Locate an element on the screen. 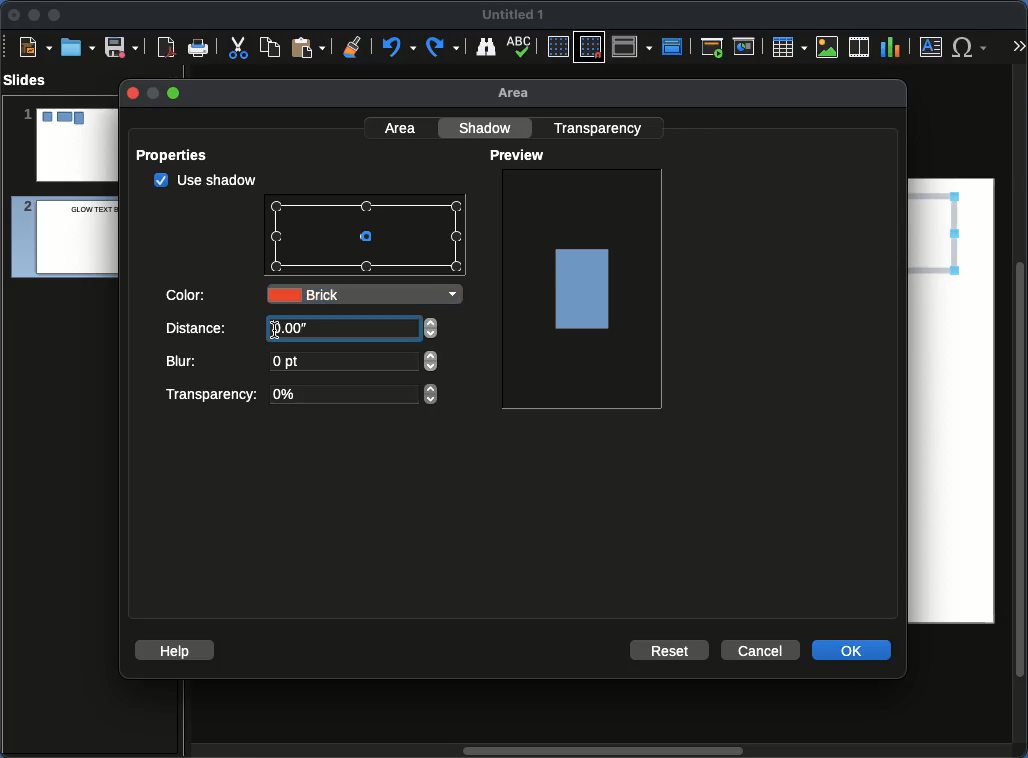 The width and height of the screenshot is (1028, 758). Audio or video is located at coordinates (860, 47).